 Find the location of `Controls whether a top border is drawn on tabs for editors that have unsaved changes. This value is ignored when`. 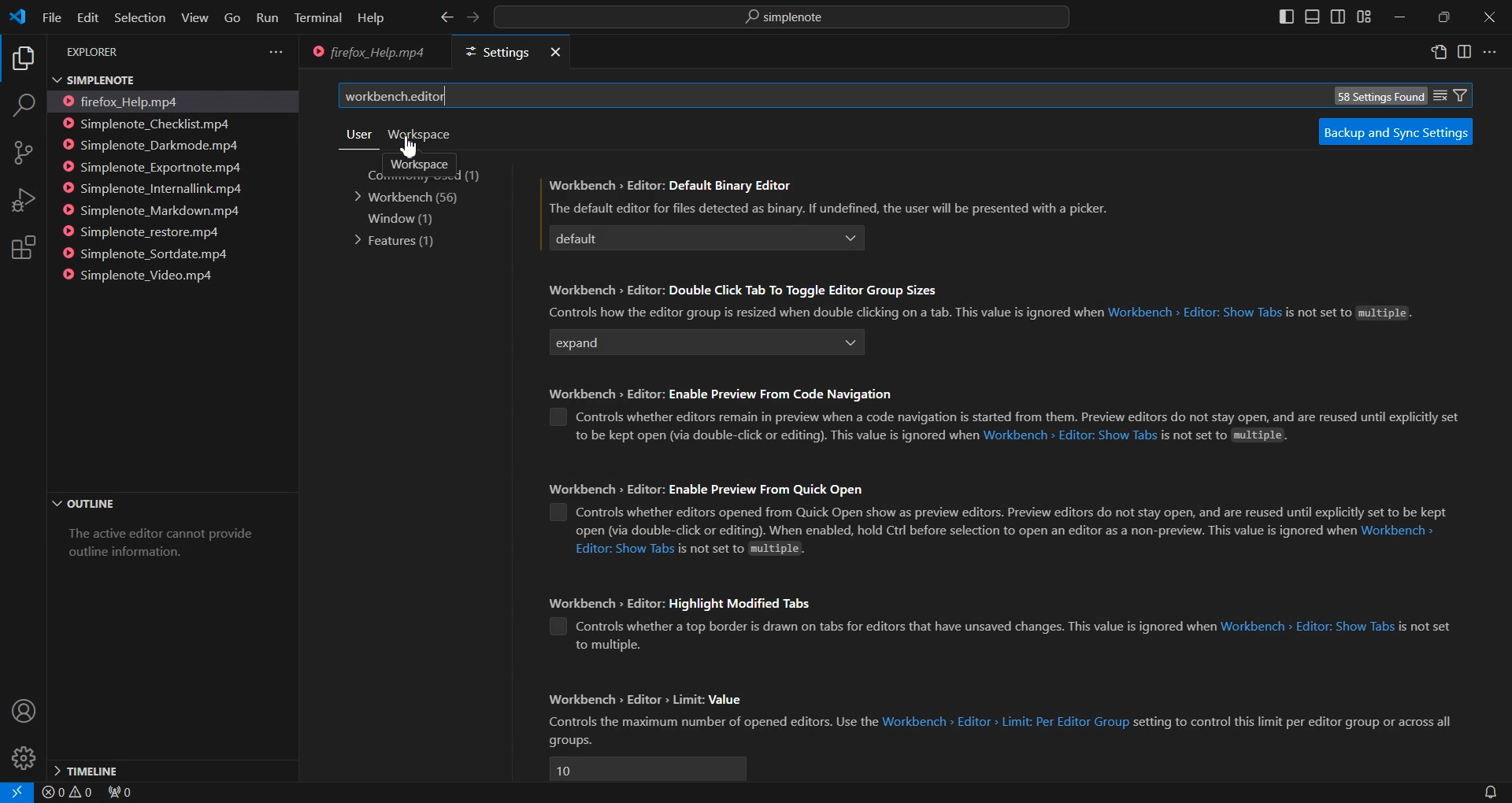

Controls whether a top border is drawn on tabs for editors that have unsaved changes. This value is ignored when is located at coordinates (895, 627).